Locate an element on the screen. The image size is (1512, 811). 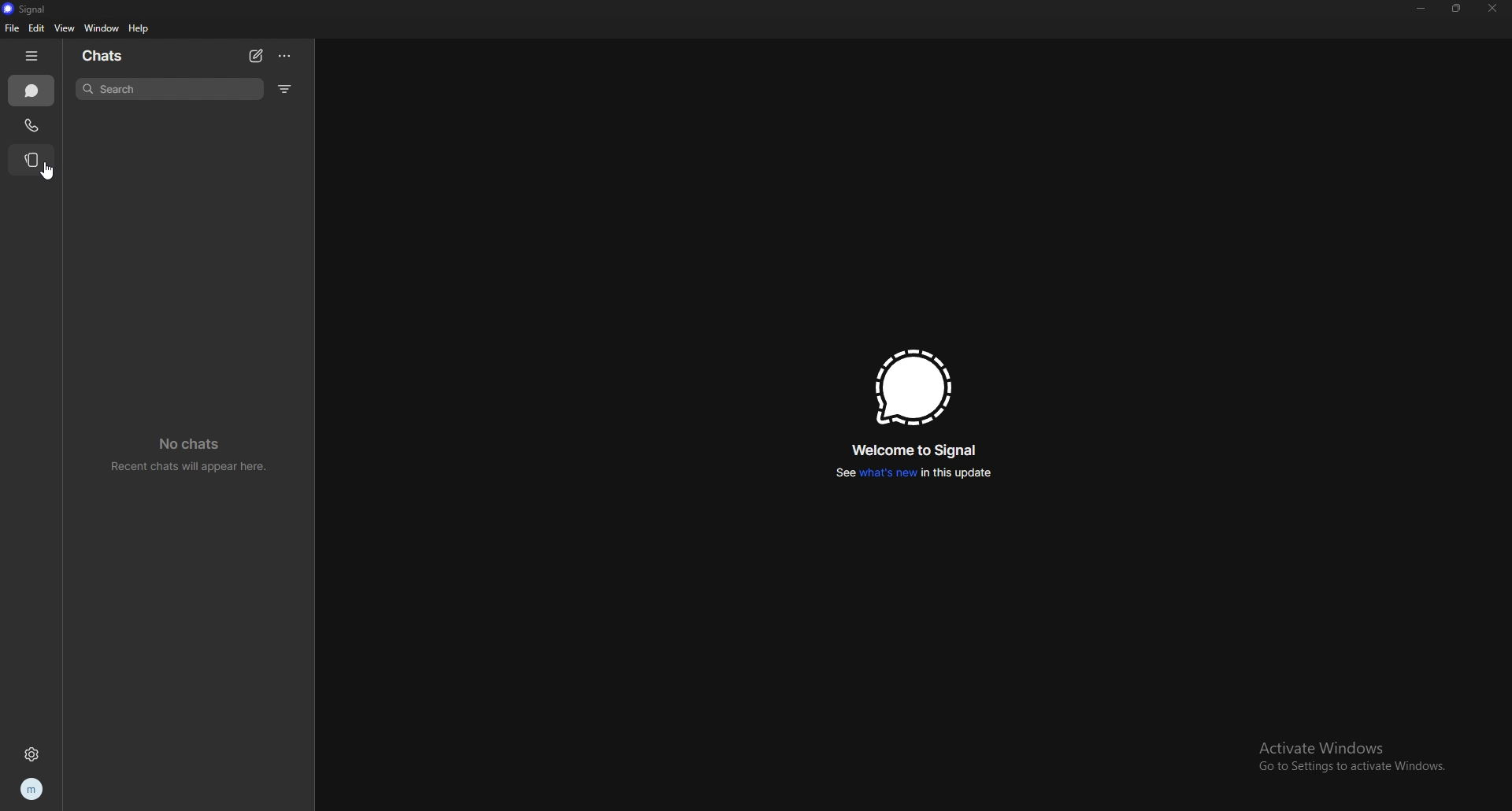
See is located at coordinates (839, 475).